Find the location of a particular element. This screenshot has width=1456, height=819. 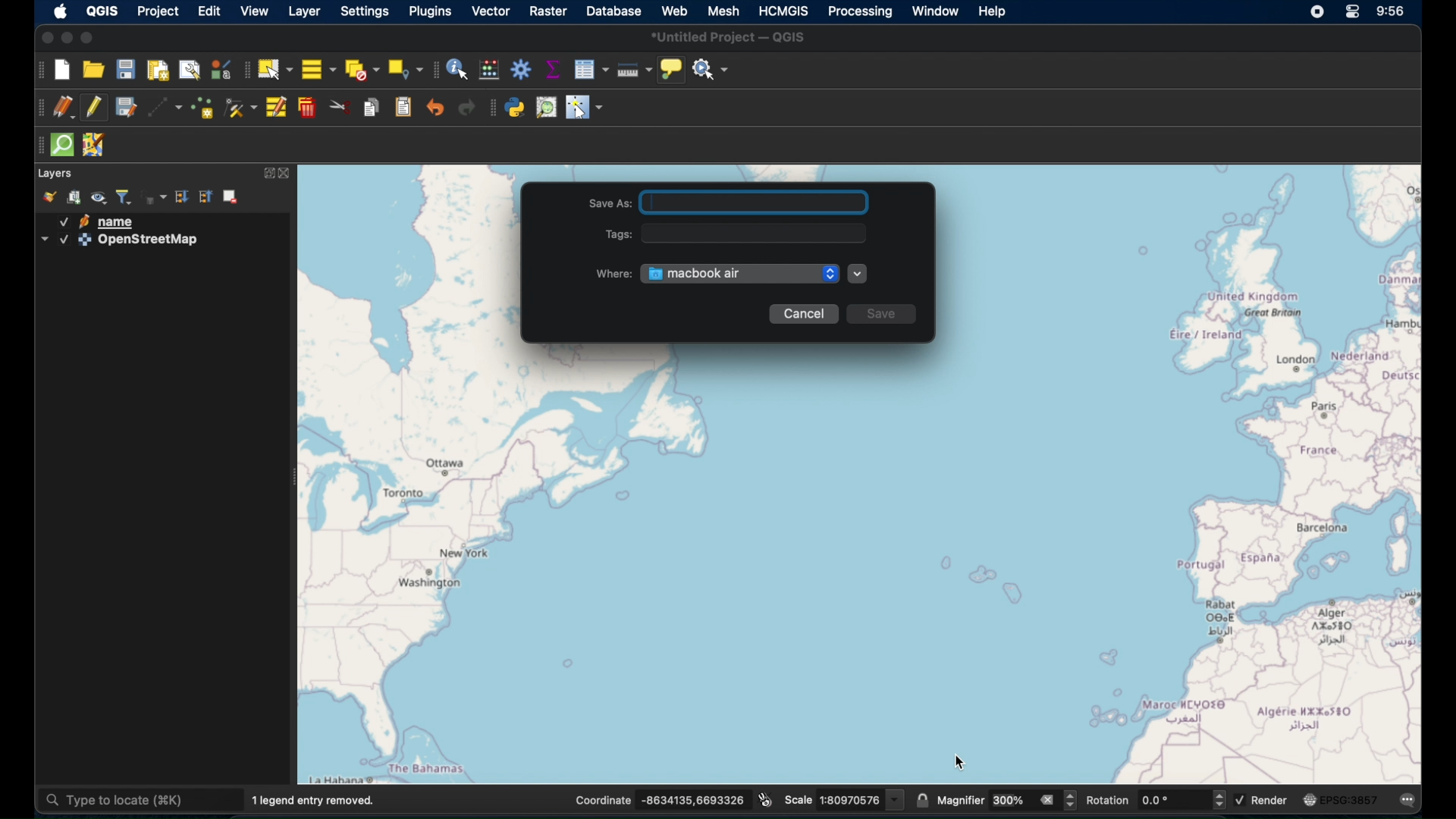

python console is located at coordinates (515, 109).